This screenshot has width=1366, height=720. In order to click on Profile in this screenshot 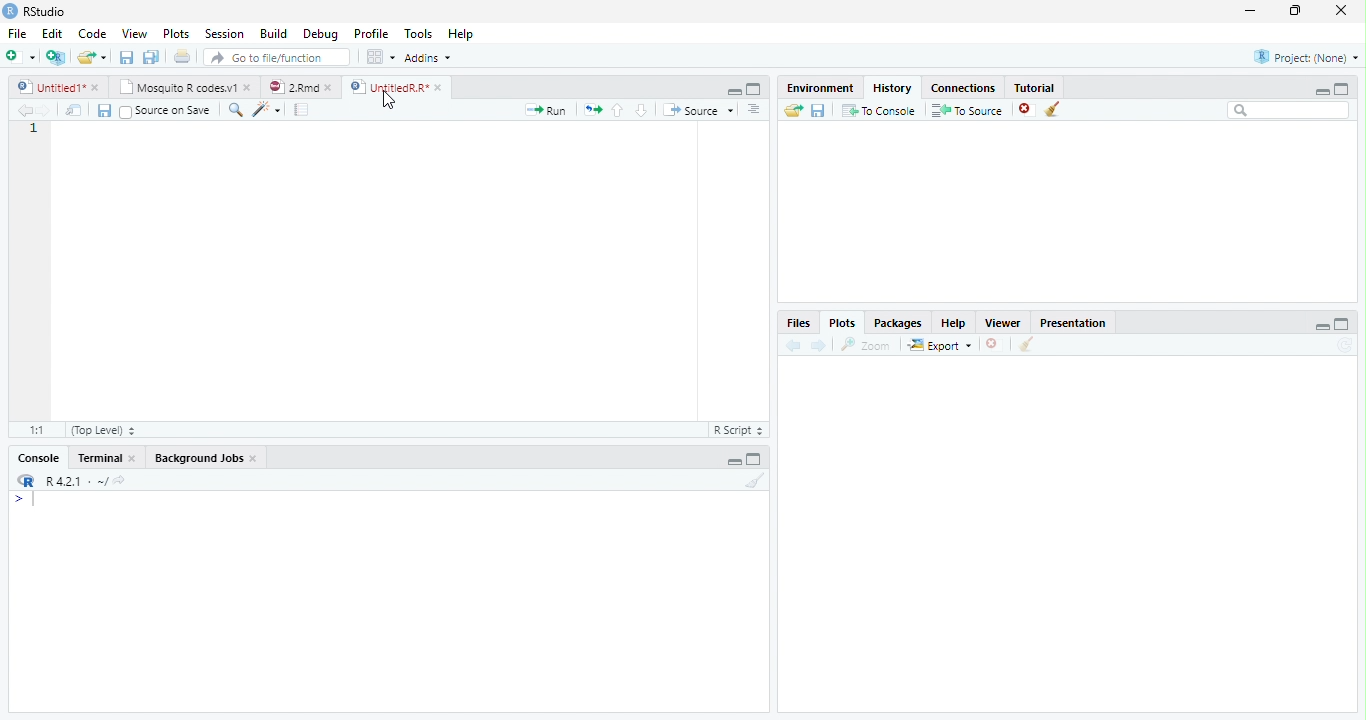, I will do `click(372, 35)`.